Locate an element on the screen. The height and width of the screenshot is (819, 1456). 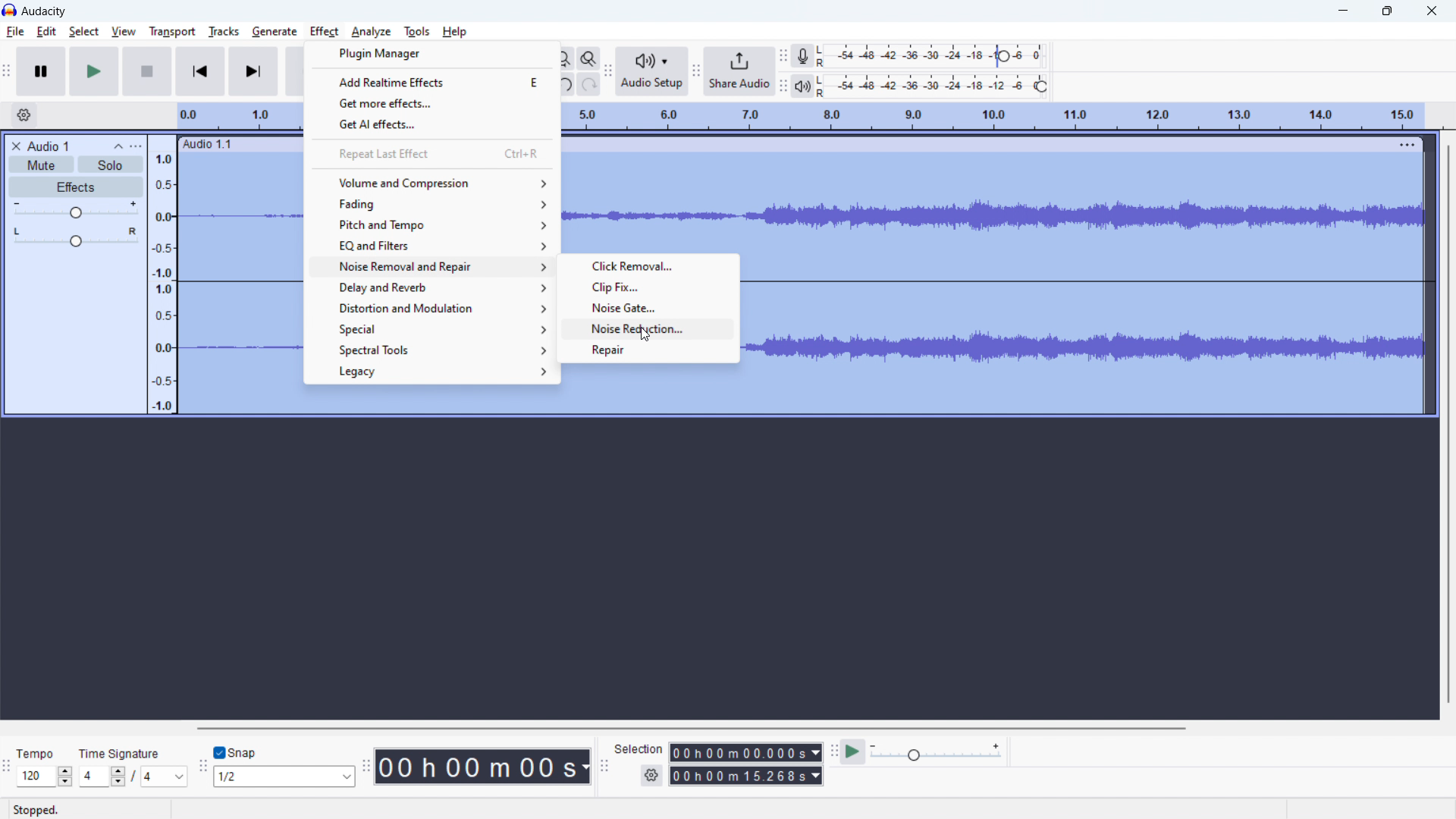
repeat last effect is located at coordinates (430, 153).